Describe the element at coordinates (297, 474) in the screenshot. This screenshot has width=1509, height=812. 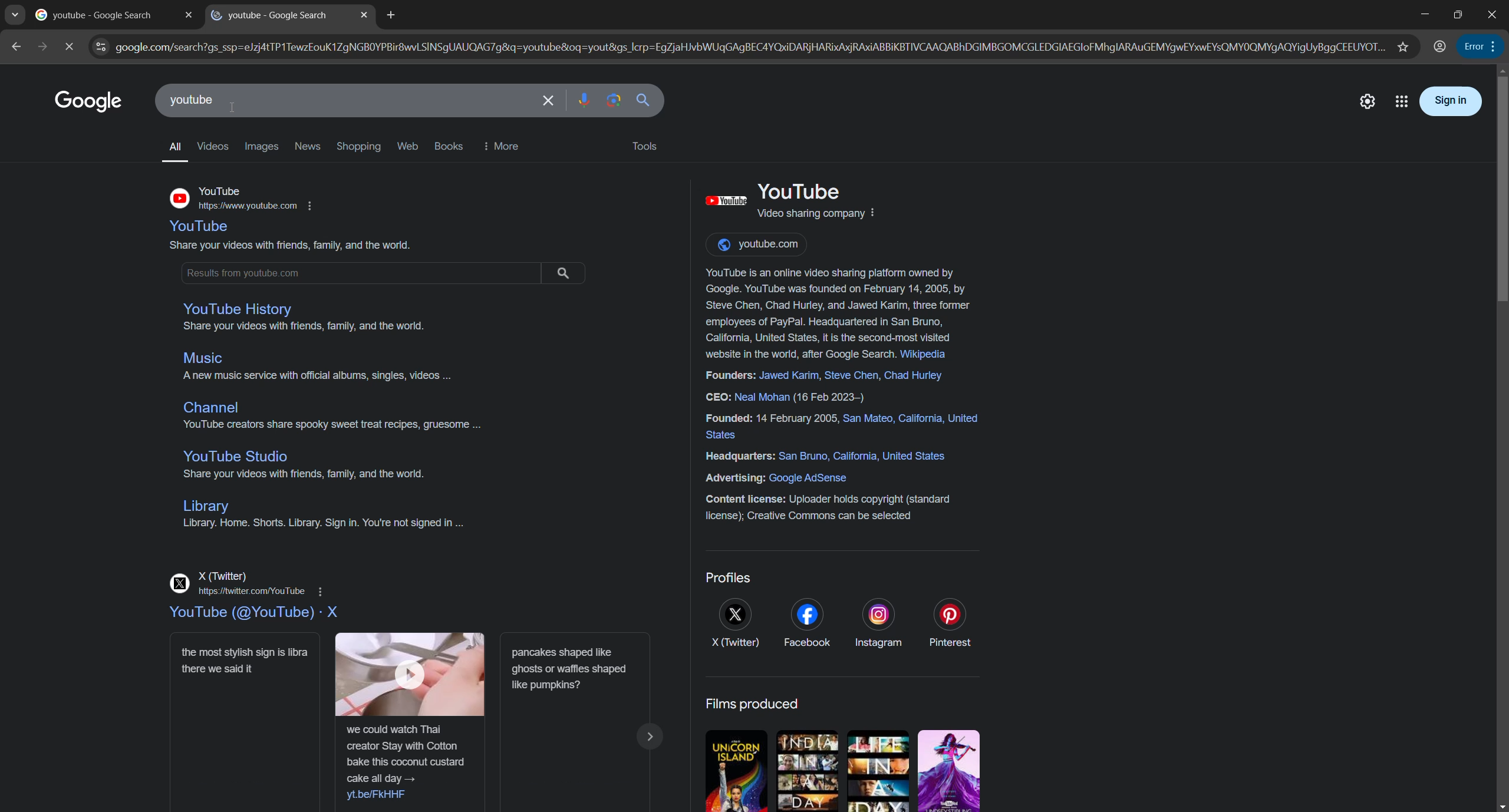
I see `share your videos with friends,family, and the world` at that location.